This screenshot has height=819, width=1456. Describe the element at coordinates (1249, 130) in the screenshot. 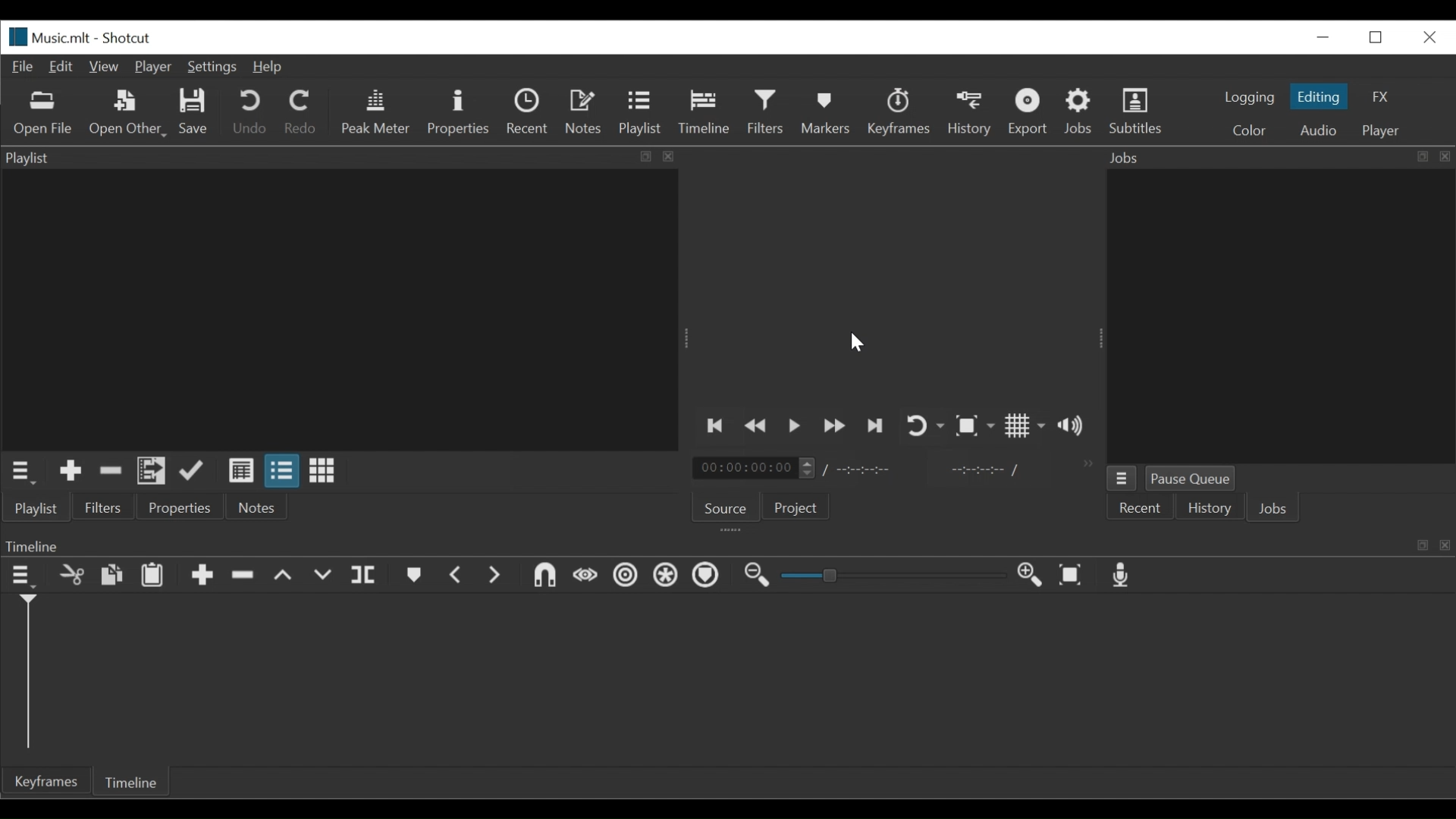

I see `Color` at that location.